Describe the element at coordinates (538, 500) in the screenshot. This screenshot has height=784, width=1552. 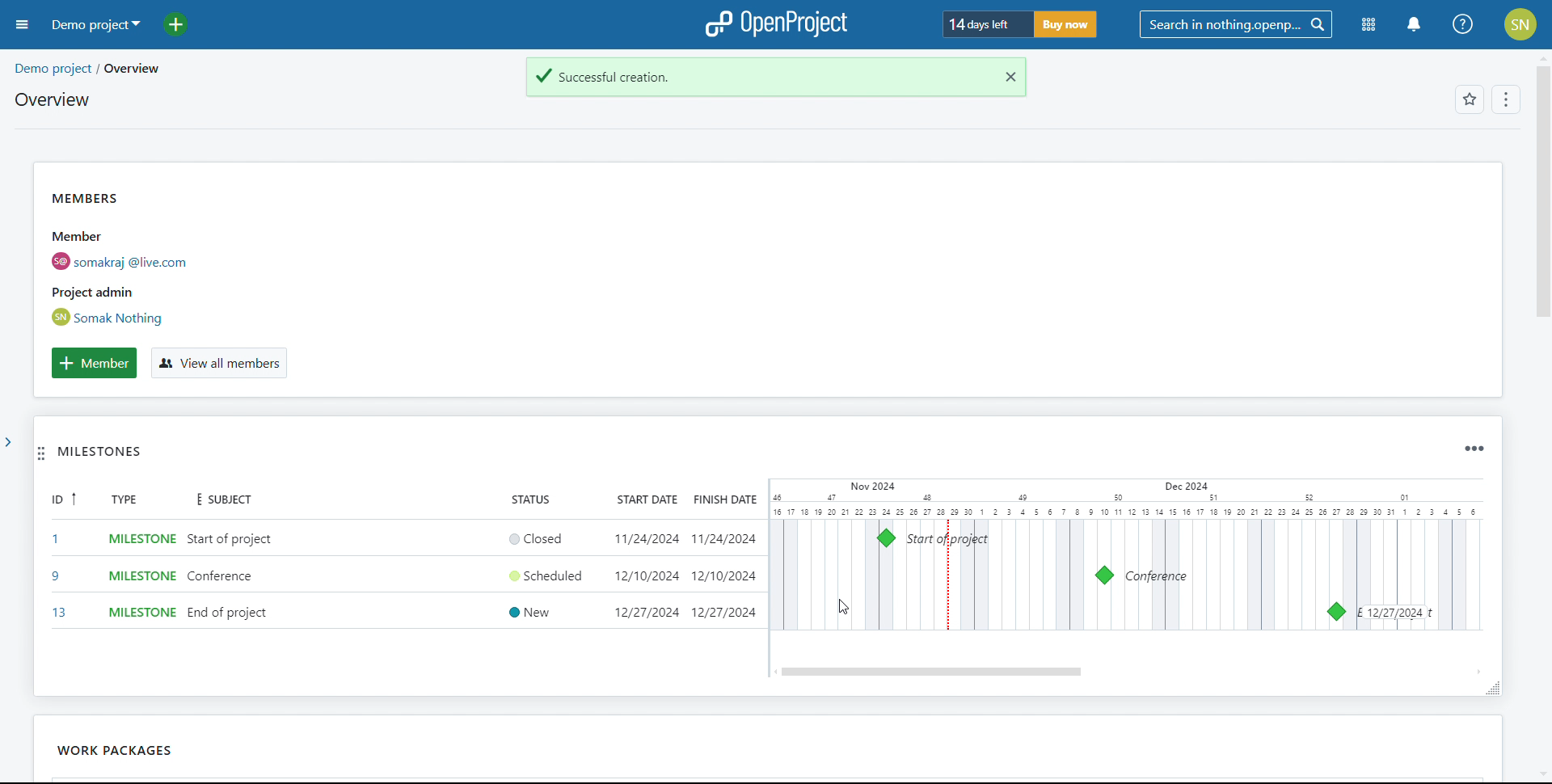
I see `status` at that location.